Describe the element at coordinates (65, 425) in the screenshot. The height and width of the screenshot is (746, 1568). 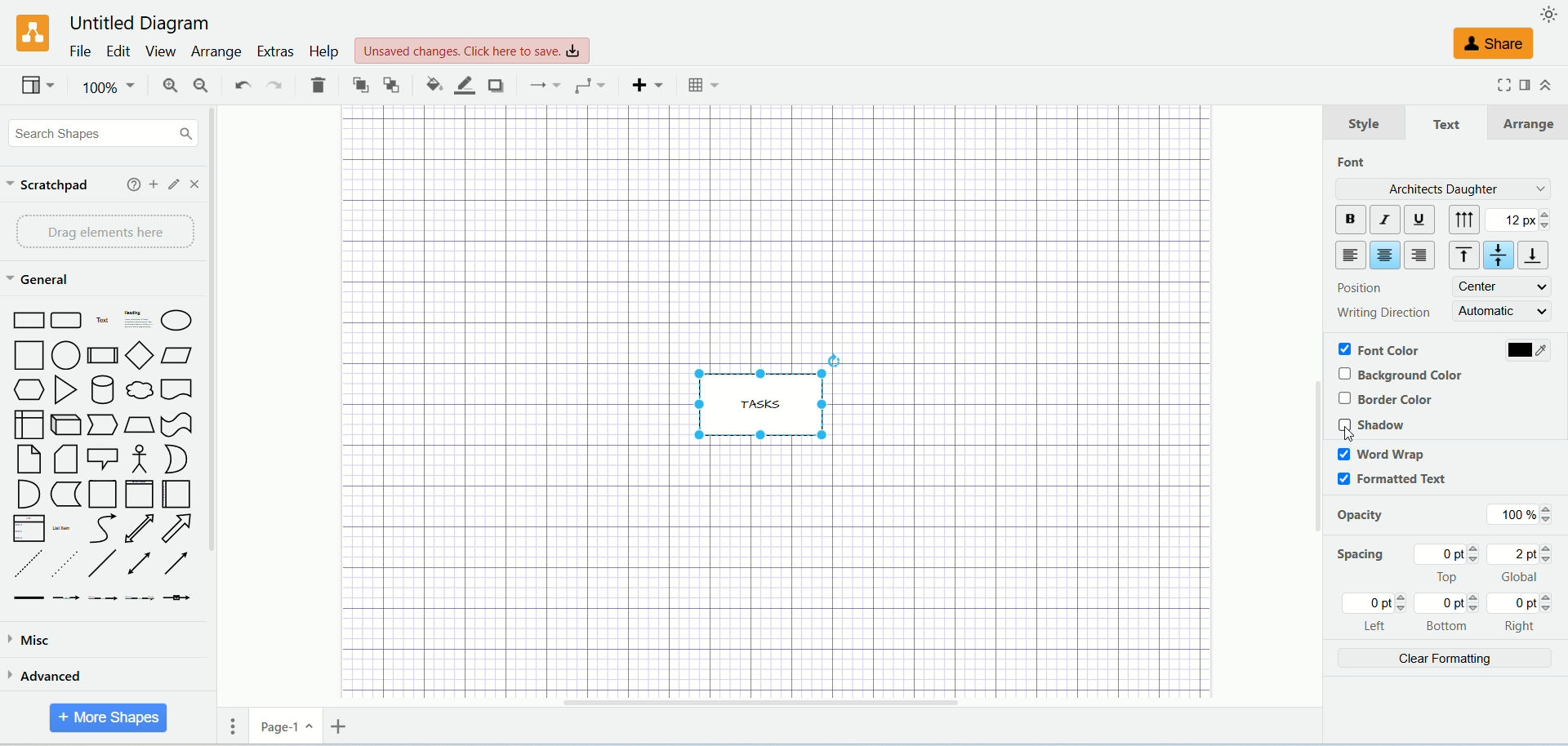
I see `Cube` at that location.